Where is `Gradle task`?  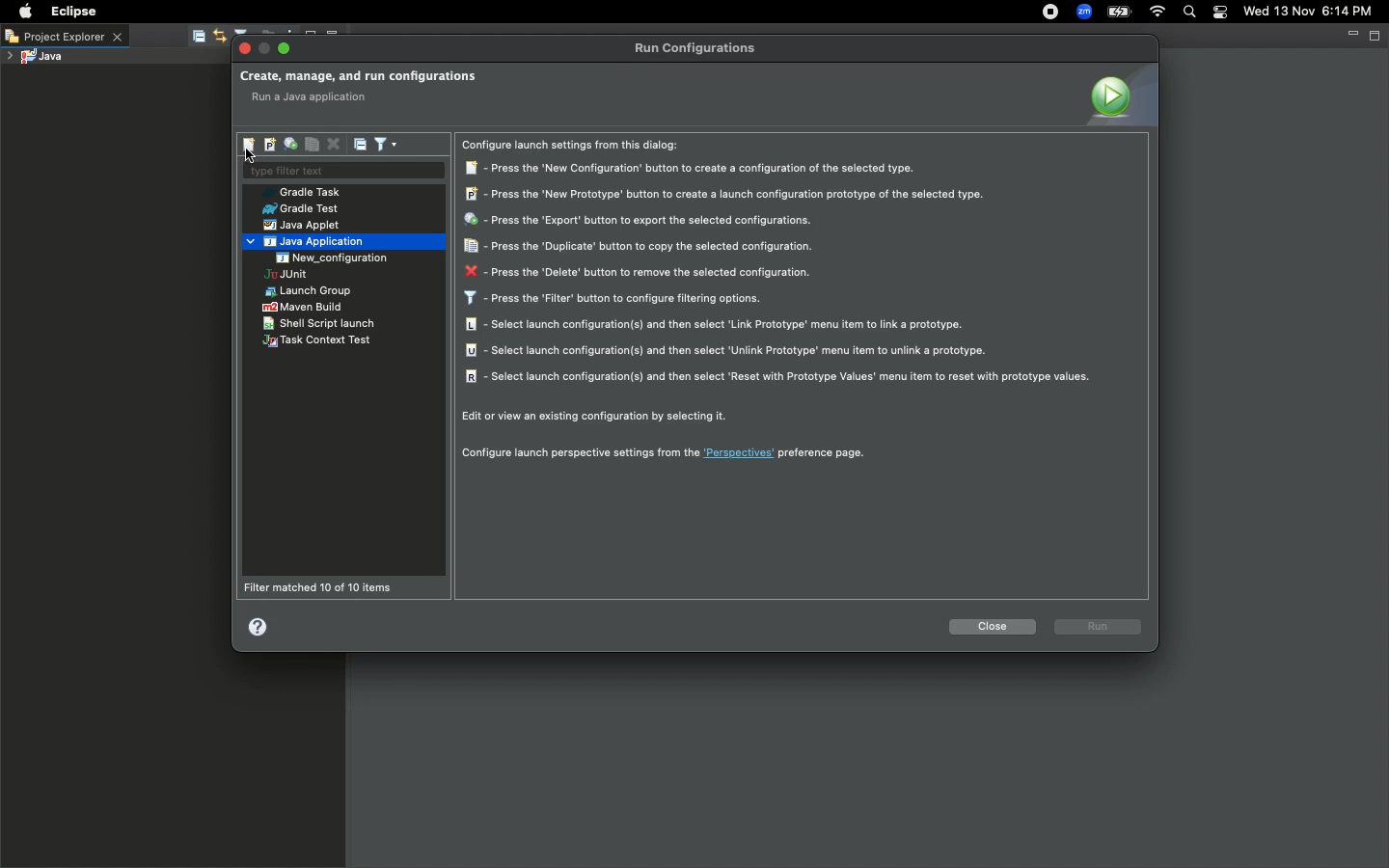
Gradle task is located at coordinates (308, 192).